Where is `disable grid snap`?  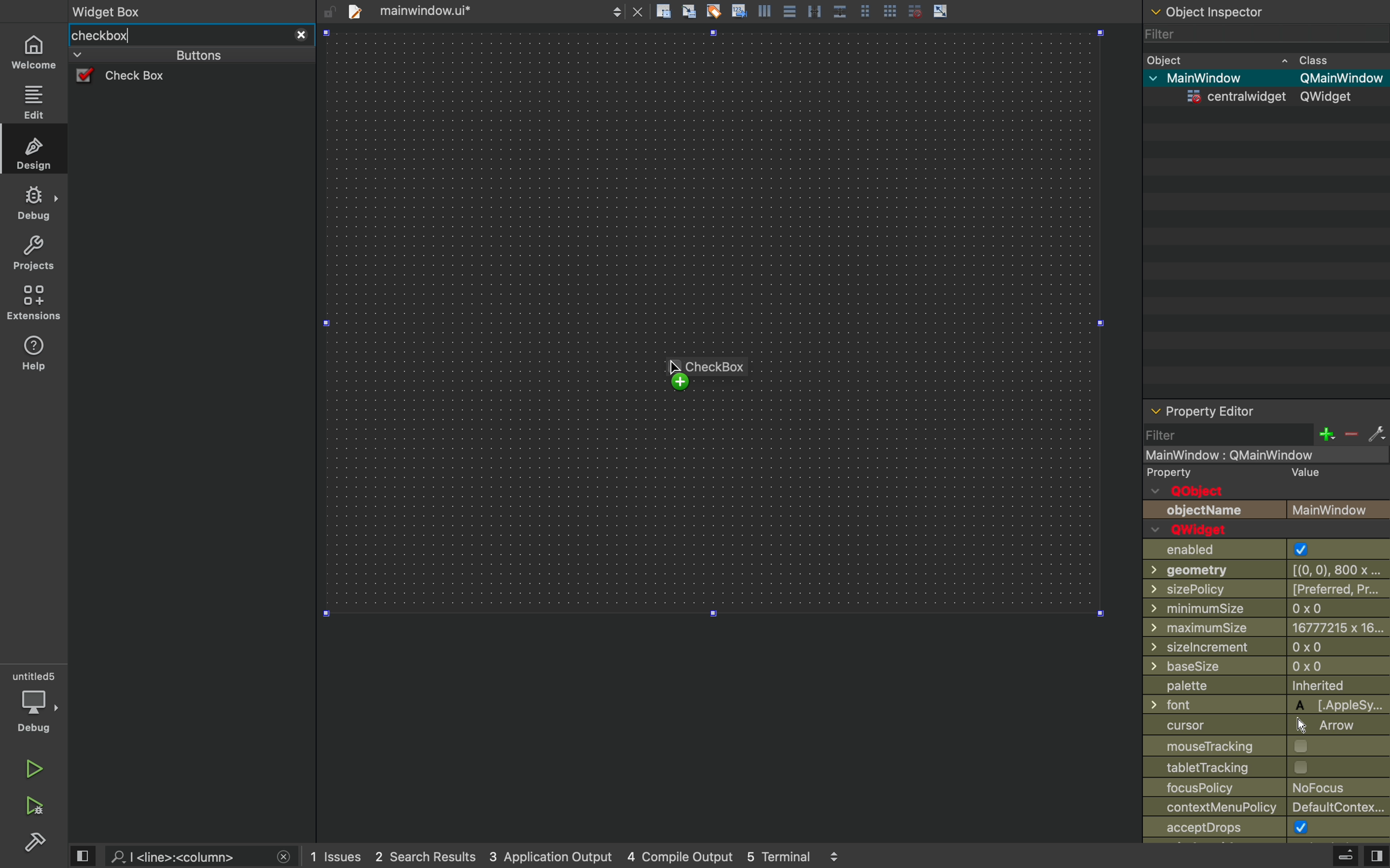
disable grid snap is located at coordinates (913, 10).